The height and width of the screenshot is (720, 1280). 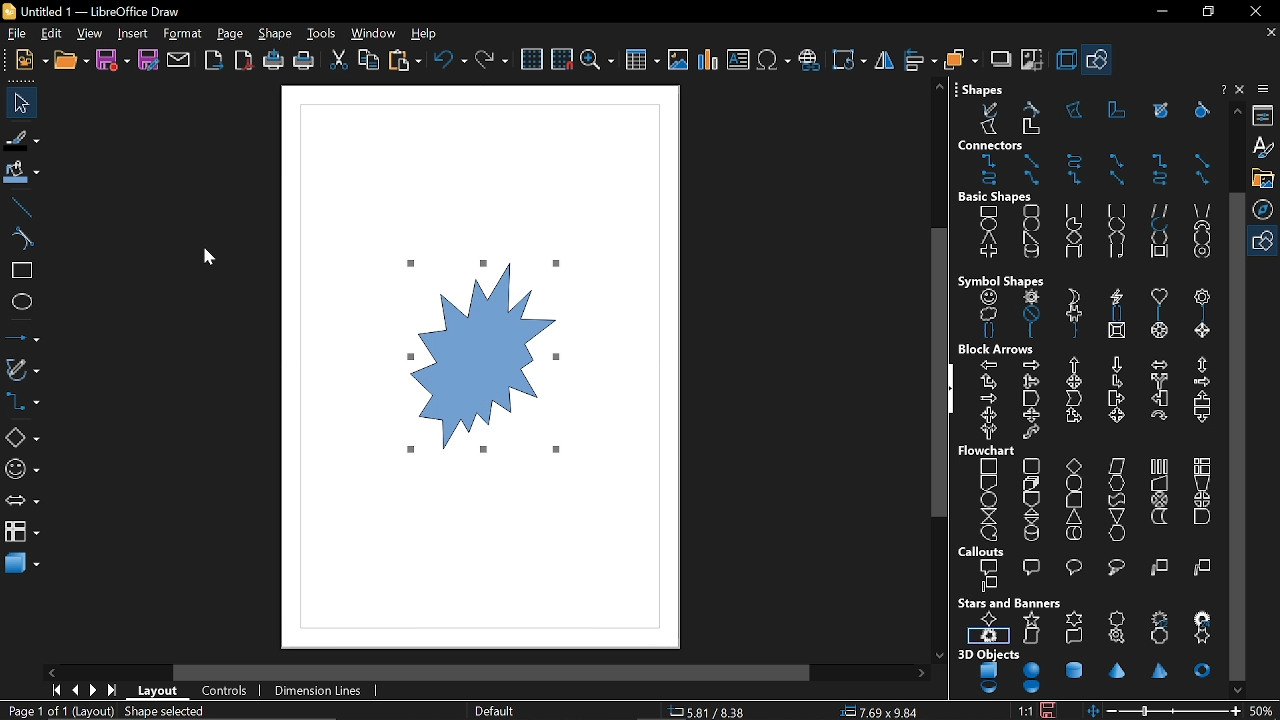 What do you see at coordinates (1086, 226) in the screenshot?
I see `Basic shapes` at bounding box center [1086, 226].